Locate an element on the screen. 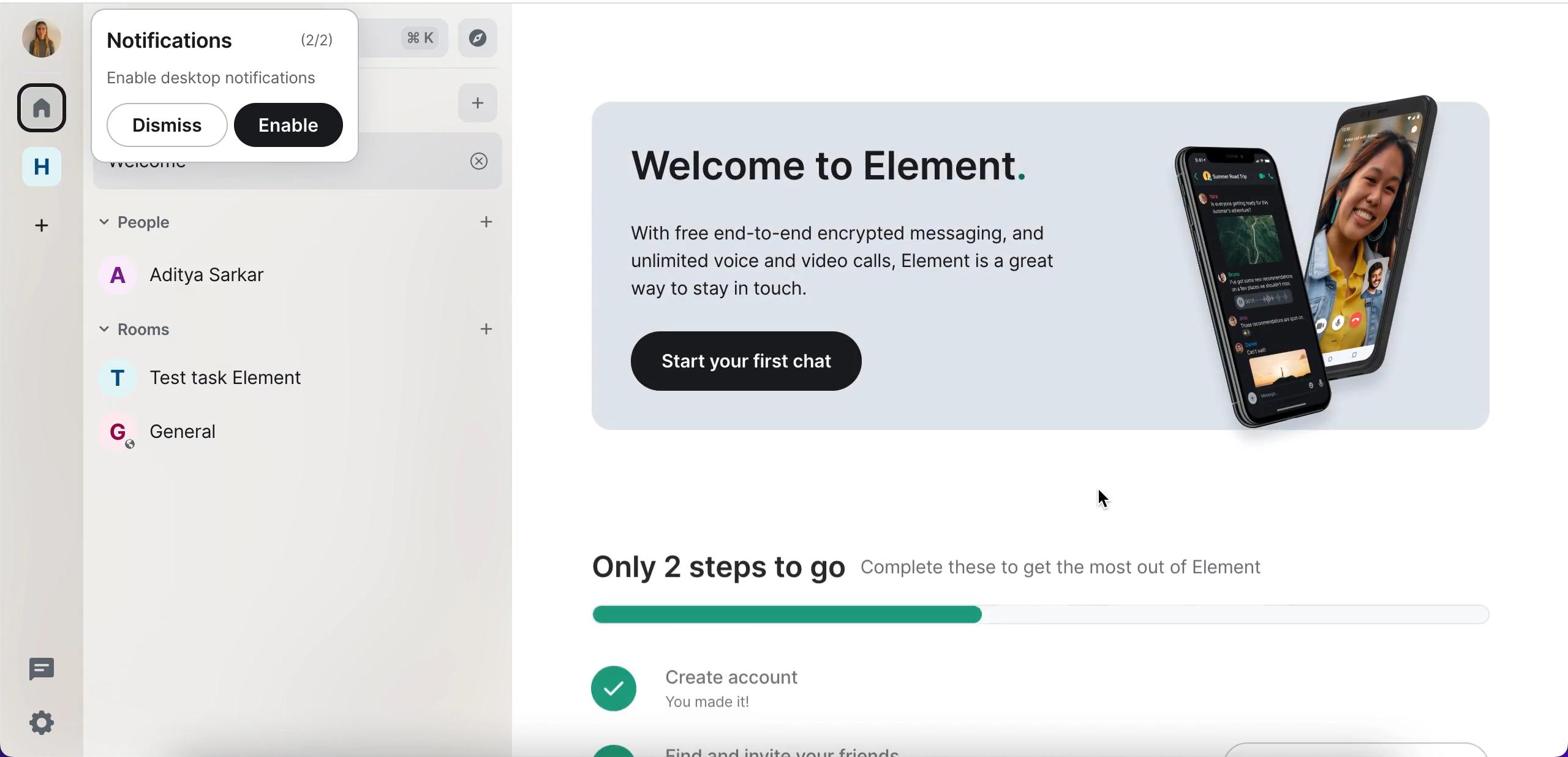  find and invite your friends is located at coordinates (749, 748).